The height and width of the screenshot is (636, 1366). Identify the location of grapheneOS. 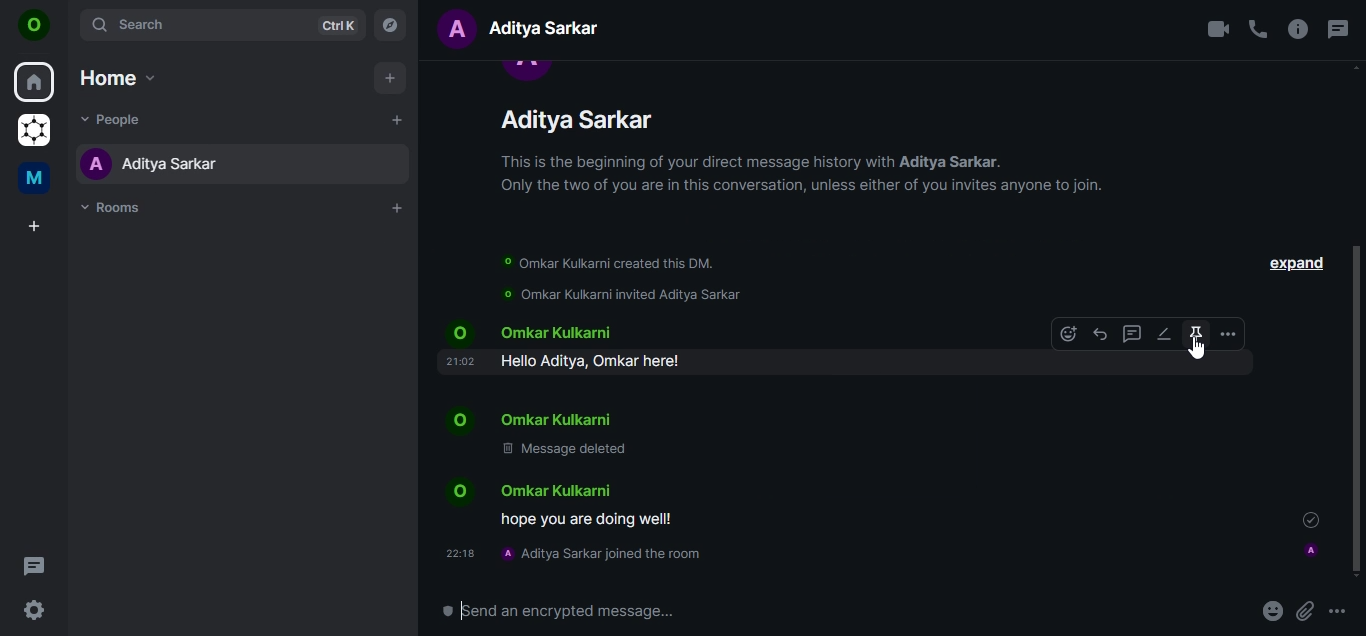
(32, 131).